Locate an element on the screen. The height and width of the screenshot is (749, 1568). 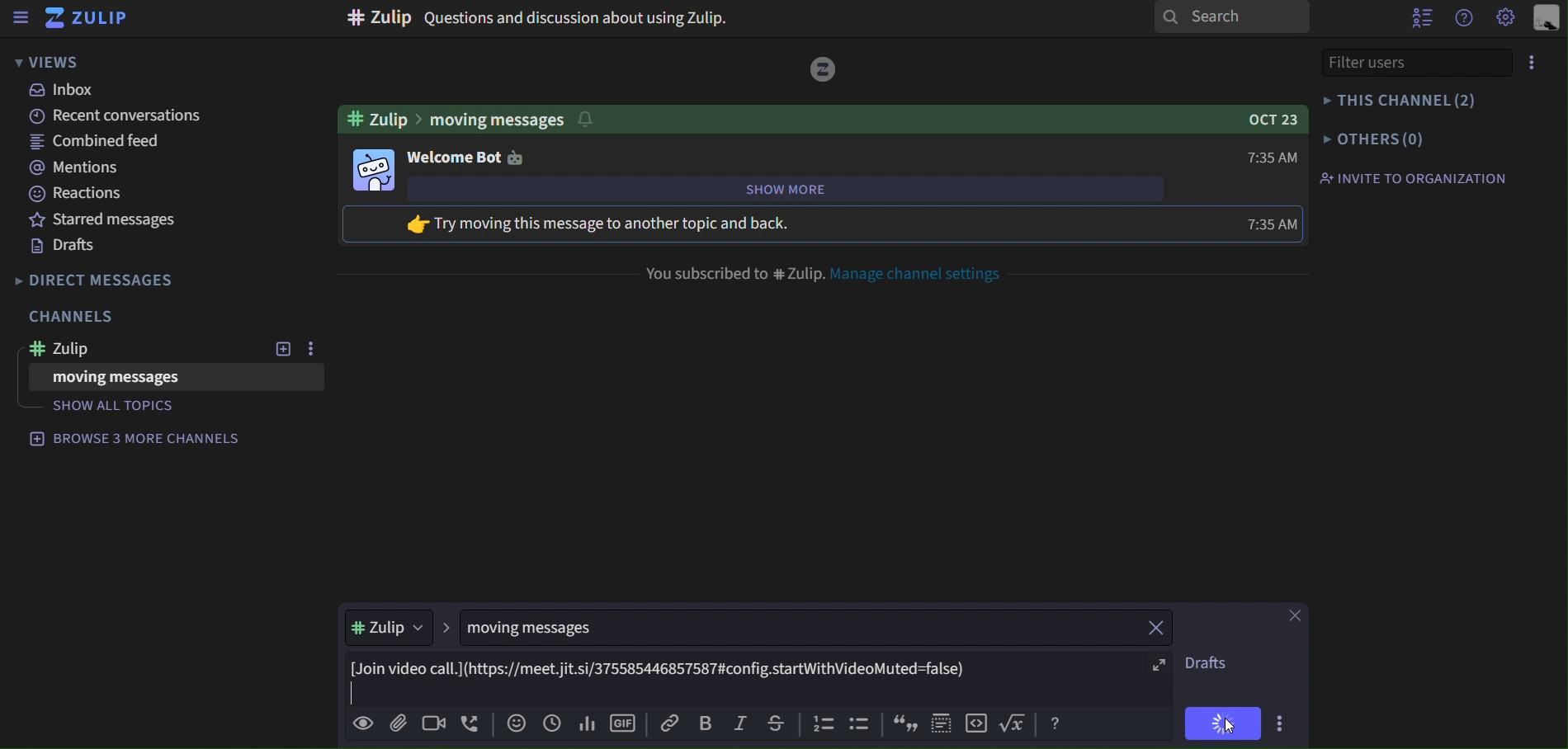
this channel (2) is located at coordinates (1403, 101).